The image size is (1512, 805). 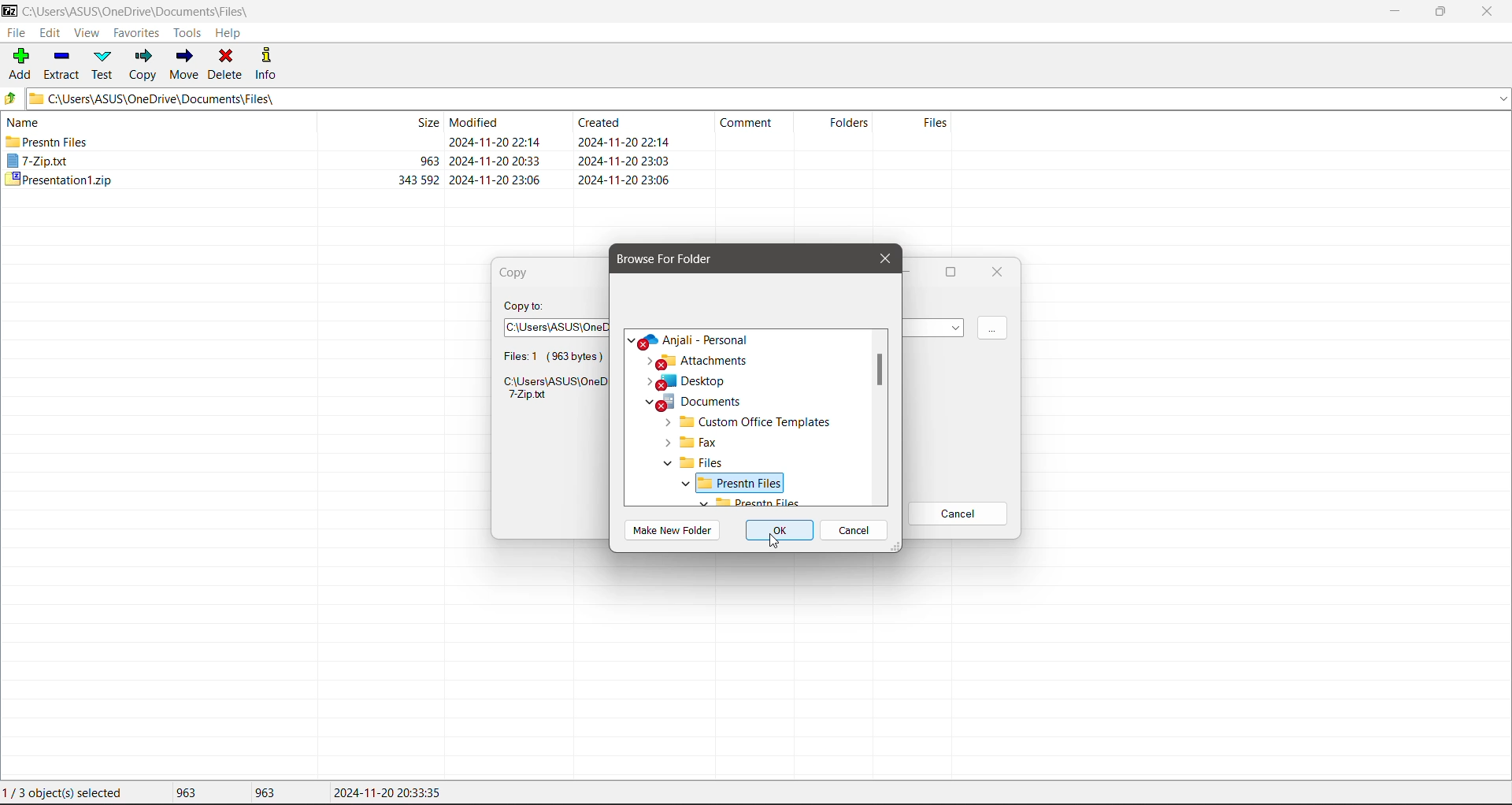 What do you see at coordinates (53, 33) in the screenshot?
I see `Edit` at bounding box center [53, 33].